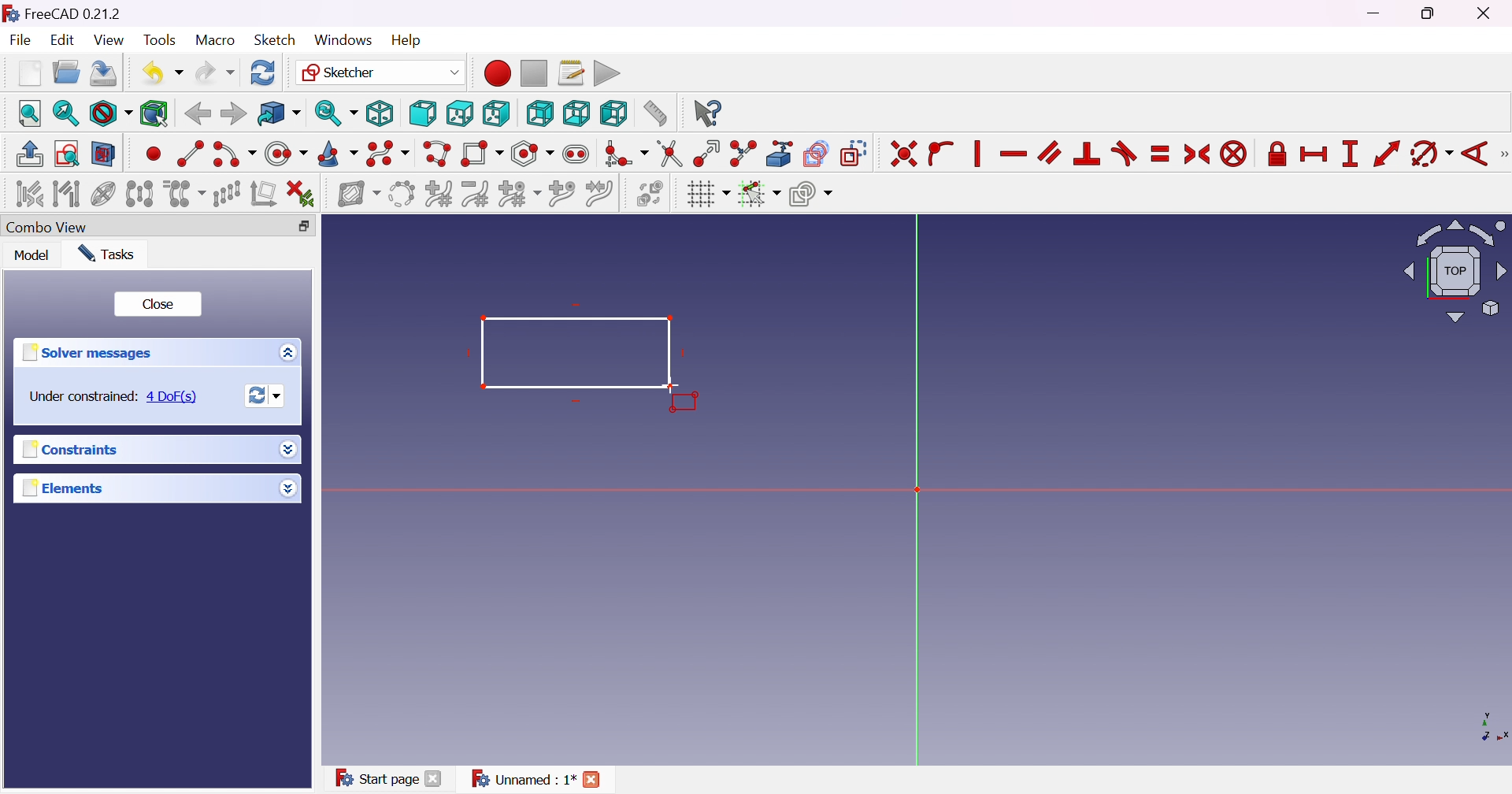  Describe the element at coordinates (1088, 154) in the screenshot. I see `Constrain perpendicular` at that location.